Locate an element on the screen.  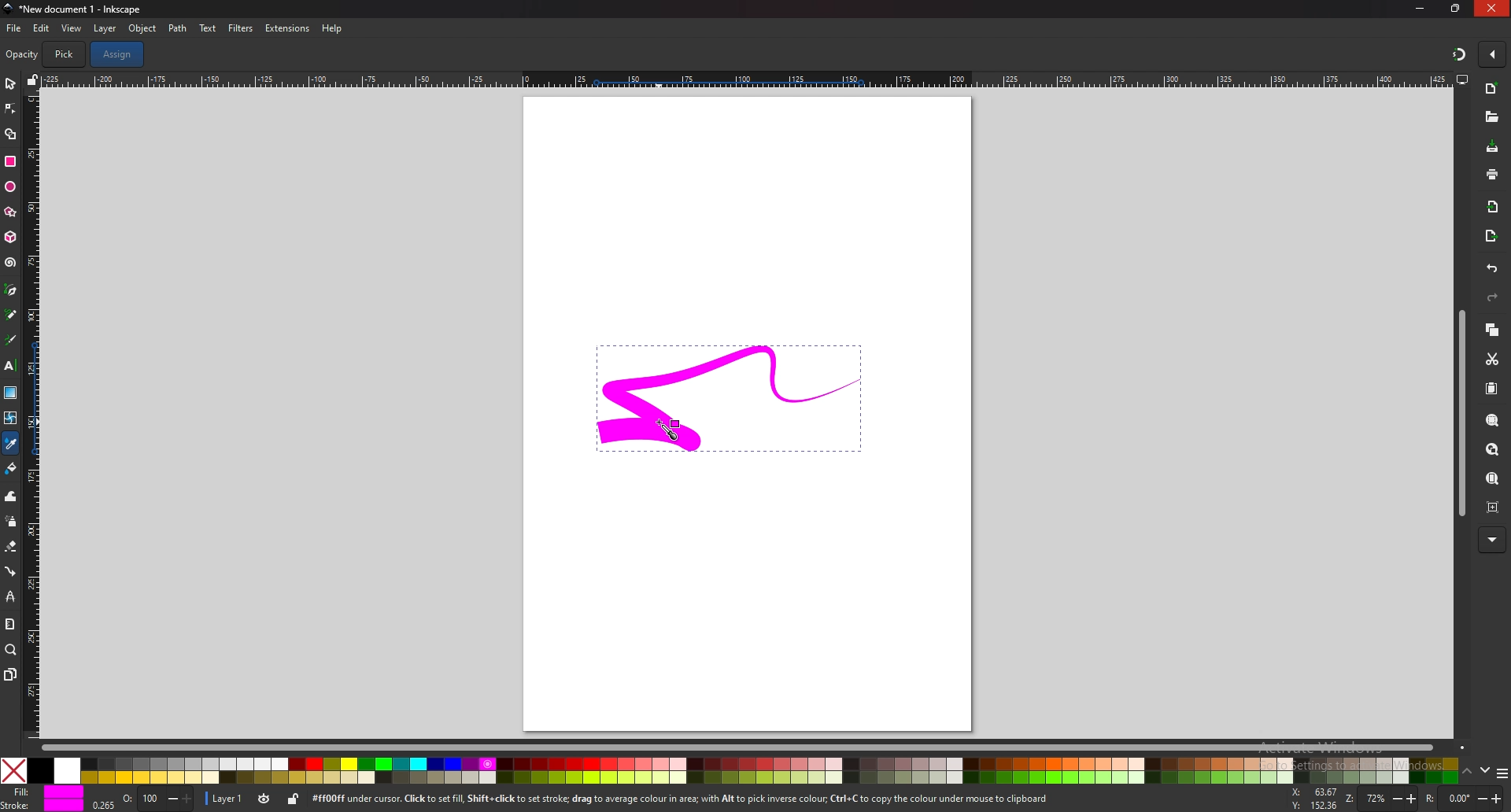
toggle visibility is located at coordinates (264, 799).